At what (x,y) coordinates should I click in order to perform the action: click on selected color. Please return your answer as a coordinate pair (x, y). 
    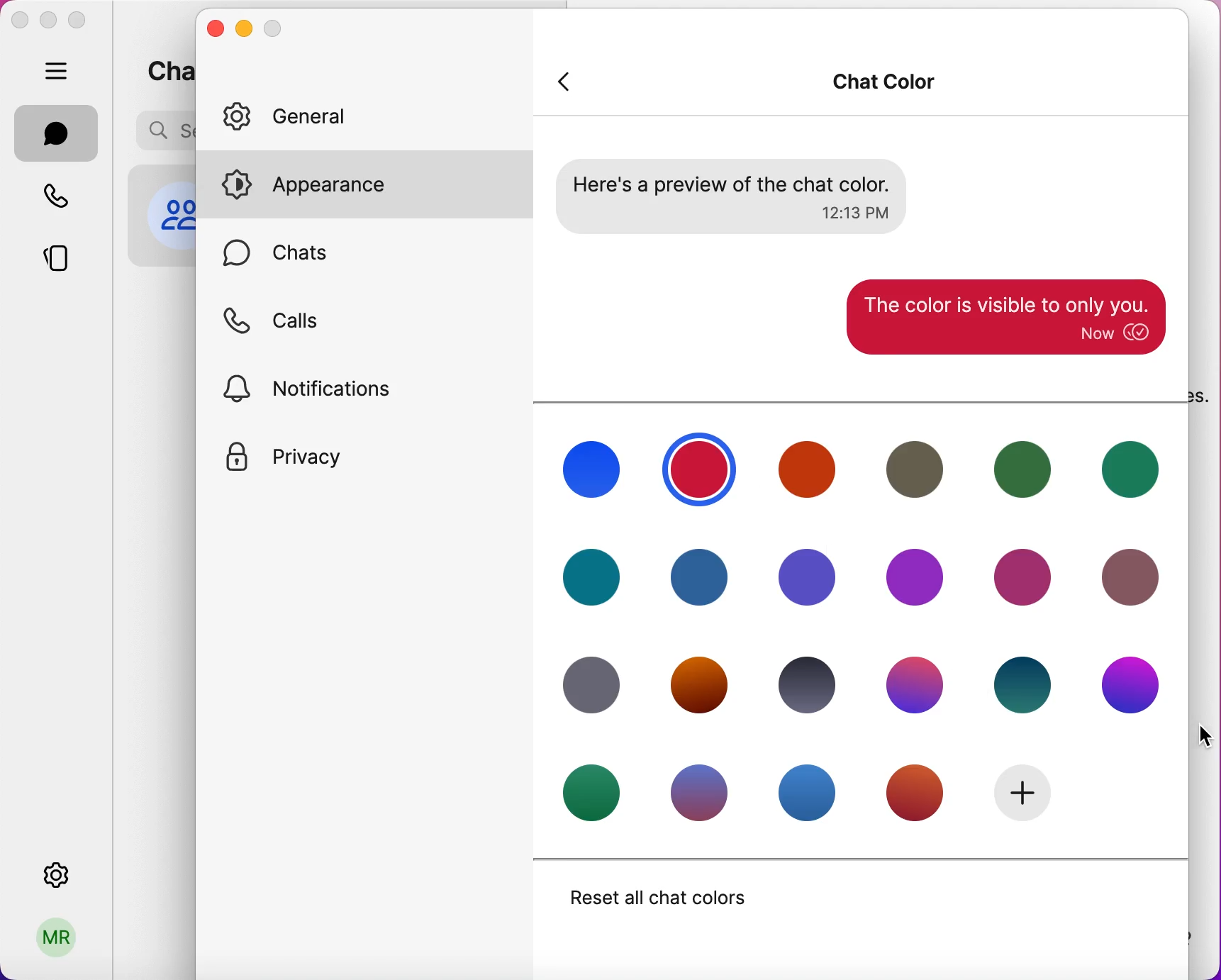
    Looking at the image, I should click on (703, 467).